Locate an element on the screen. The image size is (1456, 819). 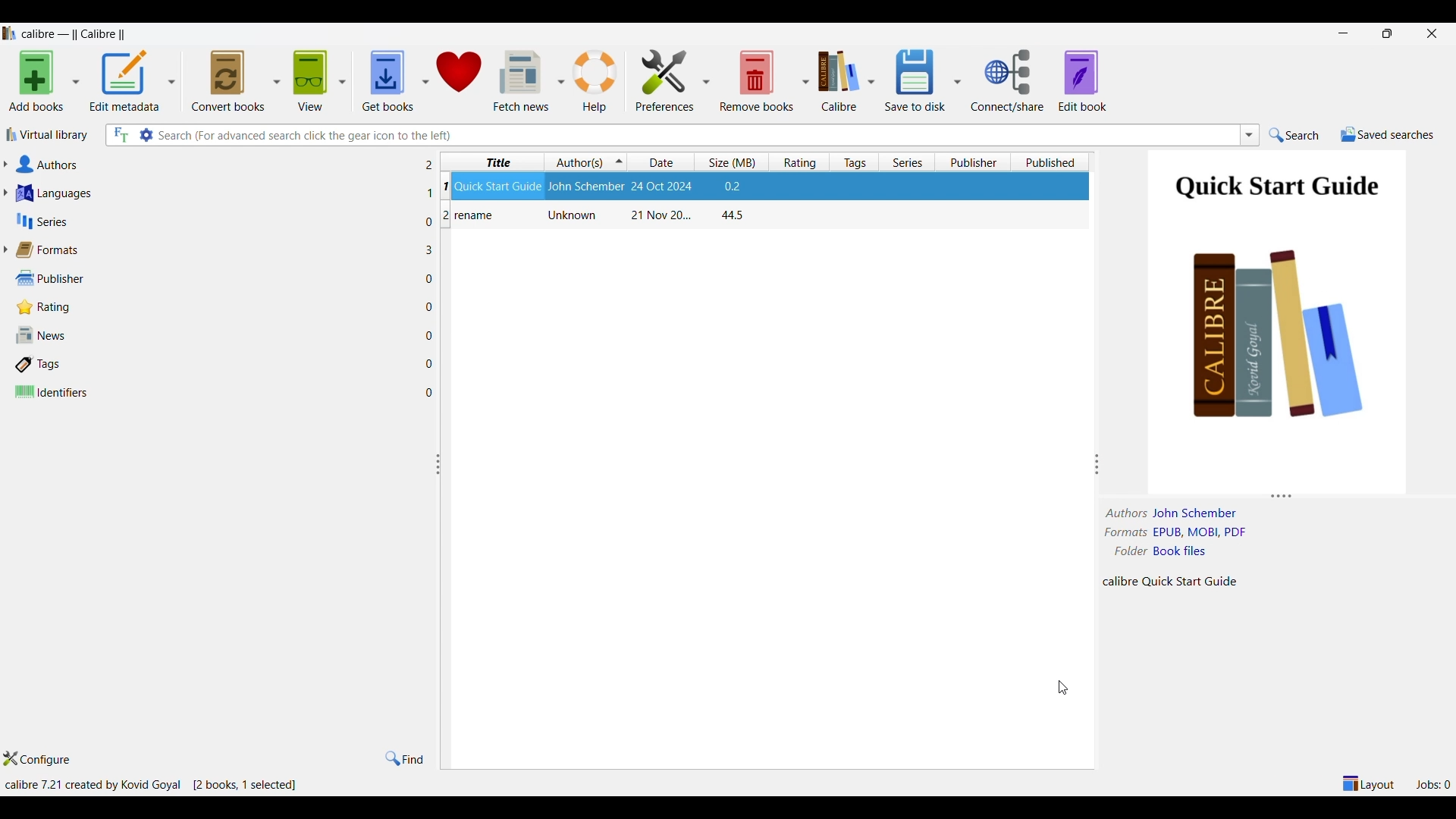
Calibre options is located at coordinates (871, 82).